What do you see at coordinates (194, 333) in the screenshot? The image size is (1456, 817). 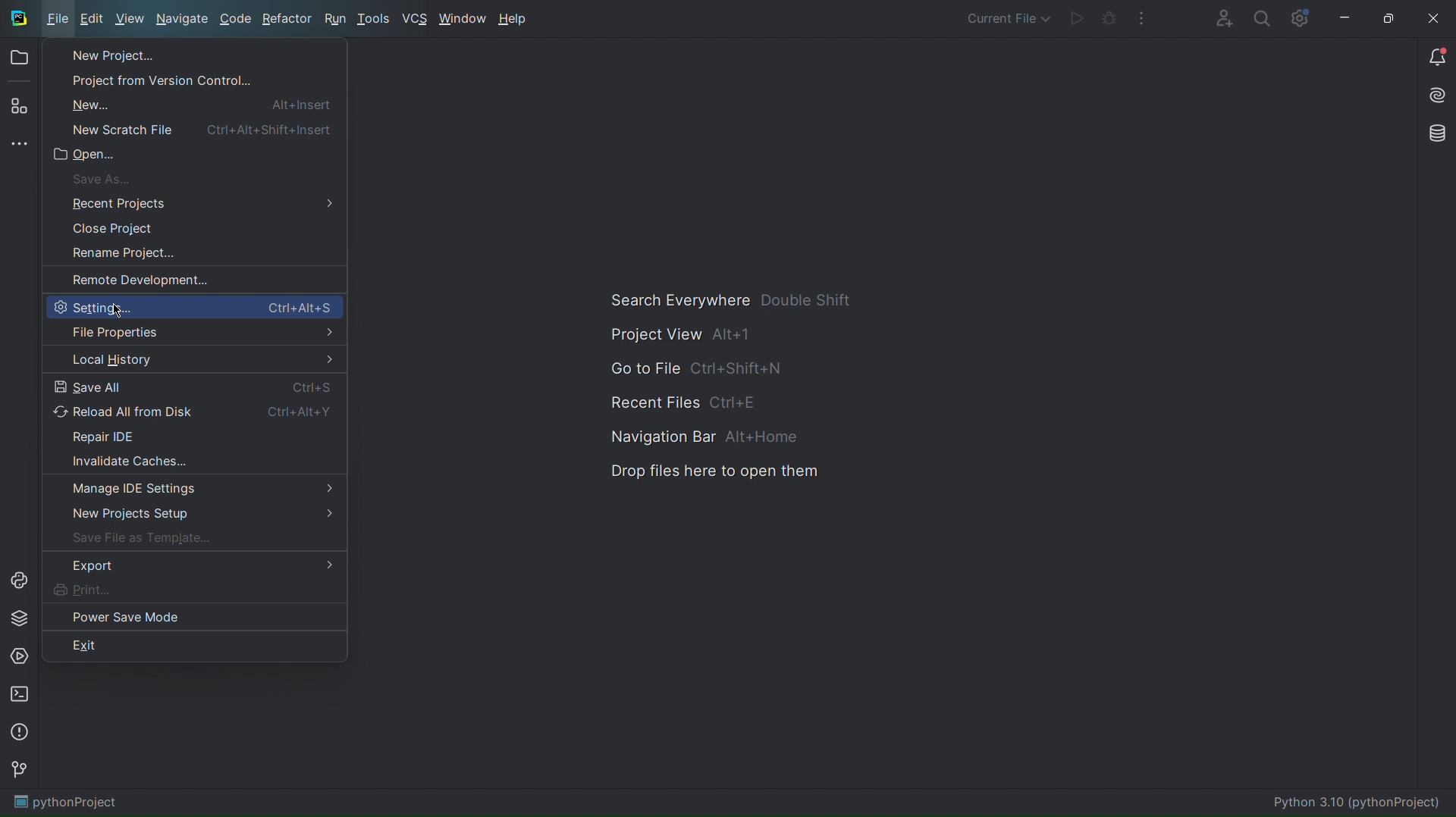 I see `File Properties` at bounding box center [194, 333].